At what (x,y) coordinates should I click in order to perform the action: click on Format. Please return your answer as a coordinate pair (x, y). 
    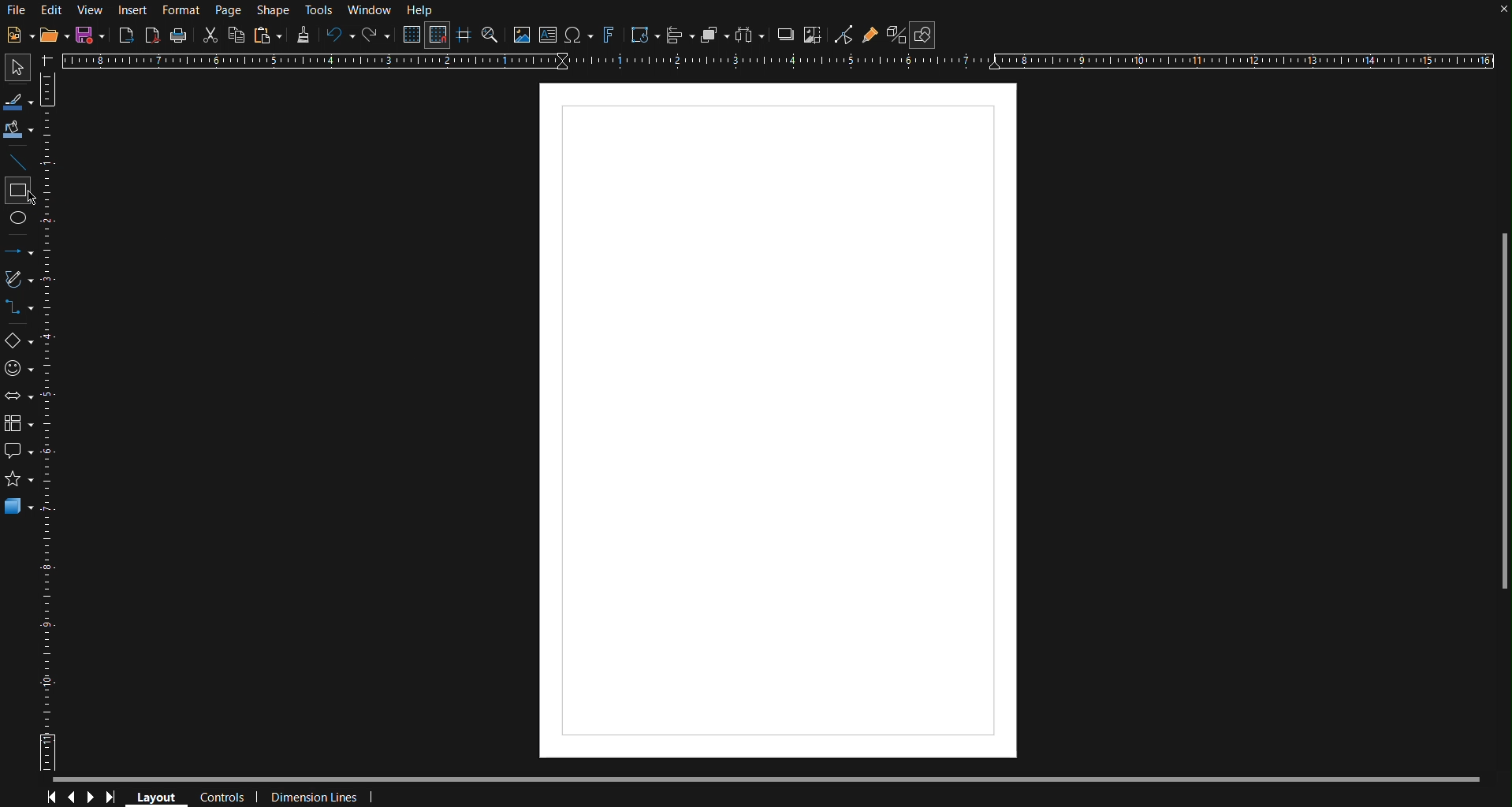
    Looking at the image, I should click on (180, 11).